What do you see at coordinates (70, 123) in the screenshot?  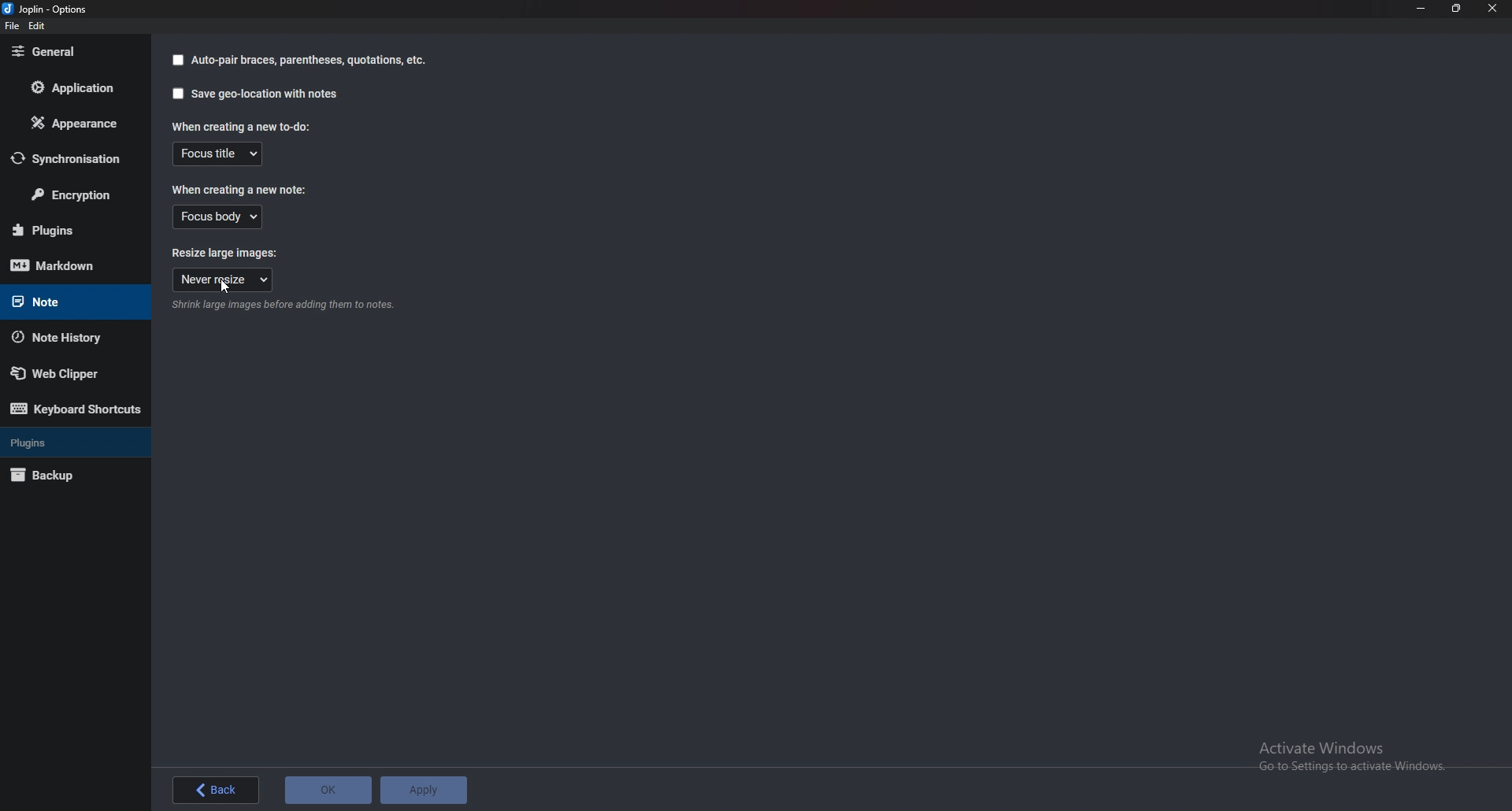 I see `Appearance` at bounding box center [70, 123].